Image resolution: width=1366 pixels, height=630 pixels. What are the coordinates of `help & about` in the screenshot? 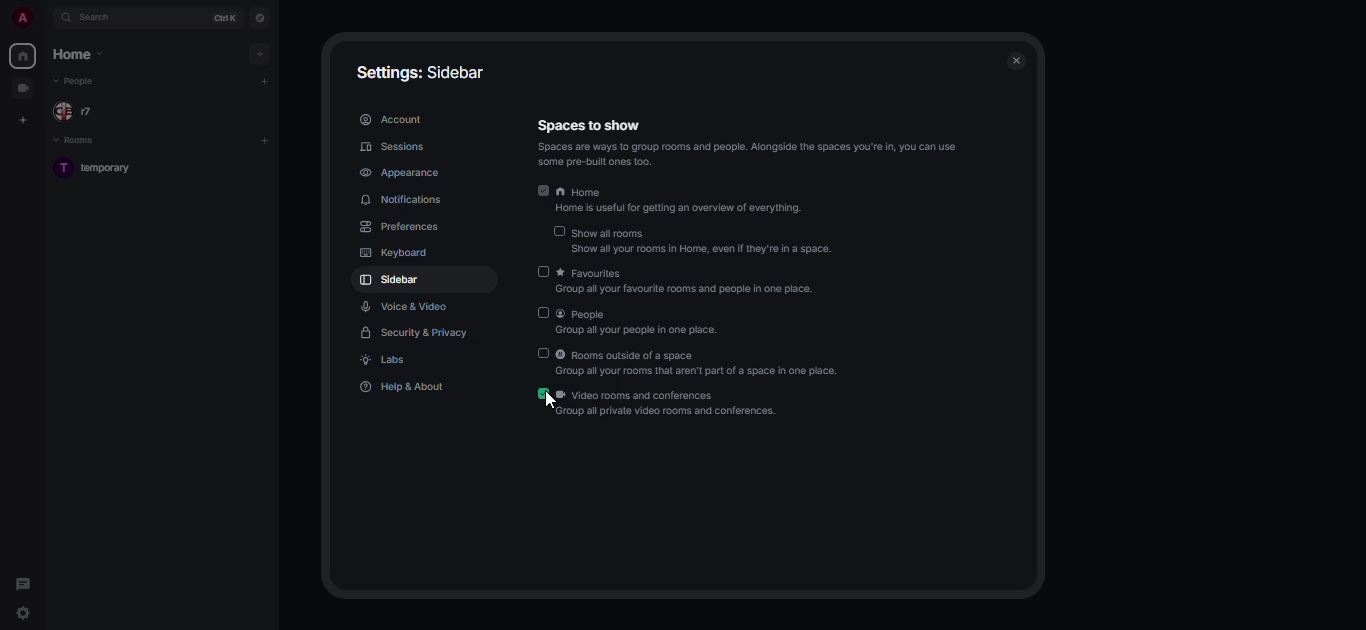 It's located at (404, 387).